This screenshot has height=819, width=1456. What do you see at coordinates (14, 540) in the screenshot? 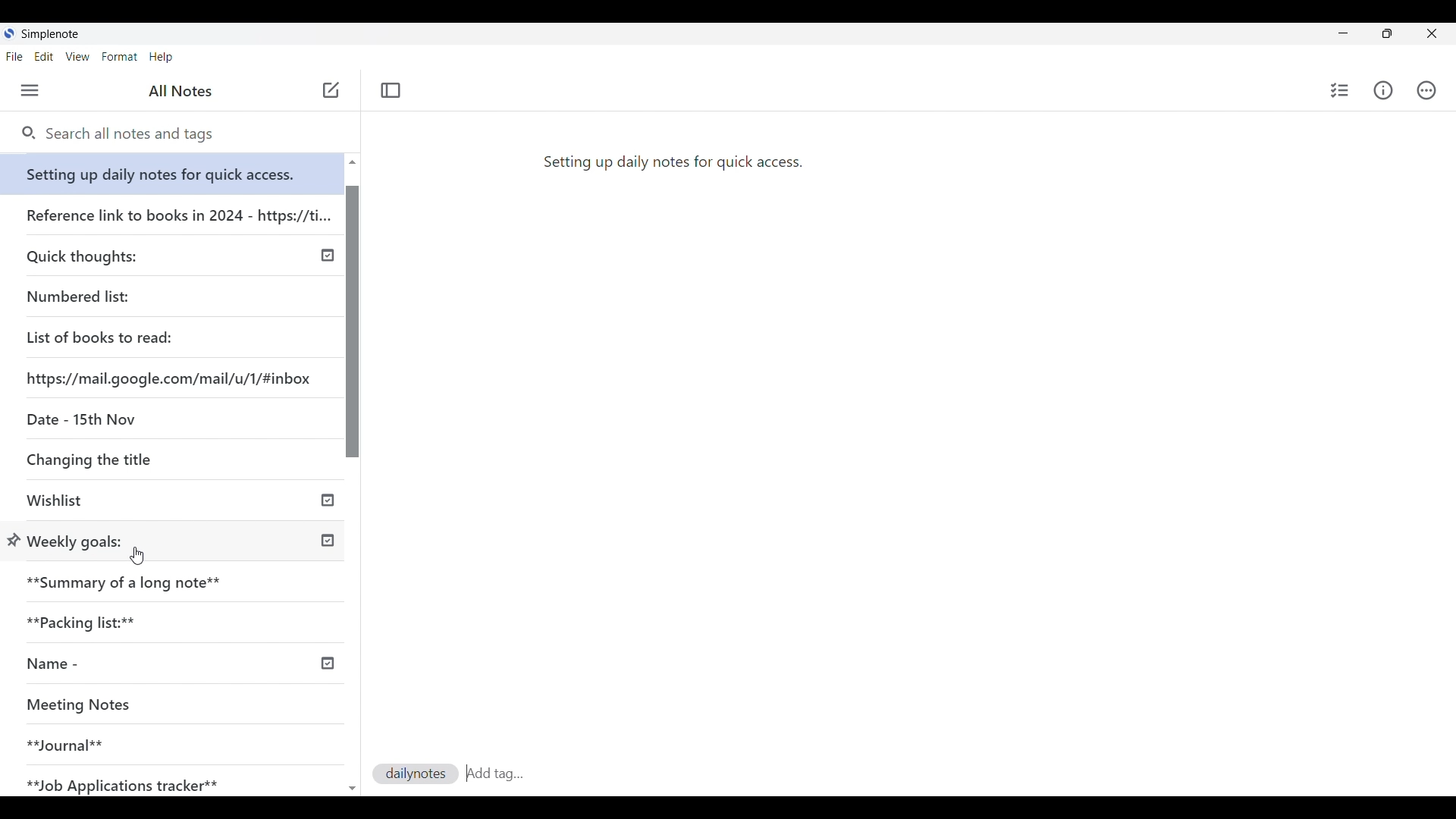
I see `Pin option for selected note` at bounding box center [14, 540].